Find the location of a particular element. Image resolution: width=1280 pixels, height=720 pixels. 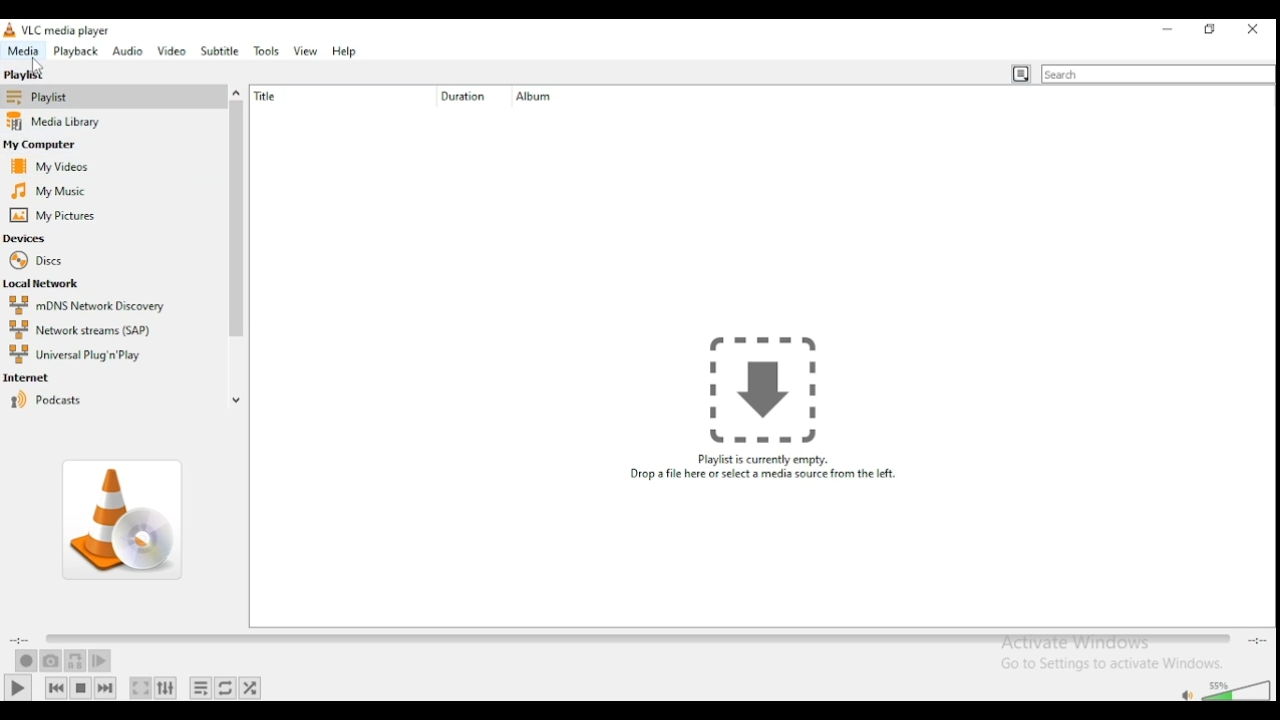

toggle playlist is located at coordinates (201, 688).